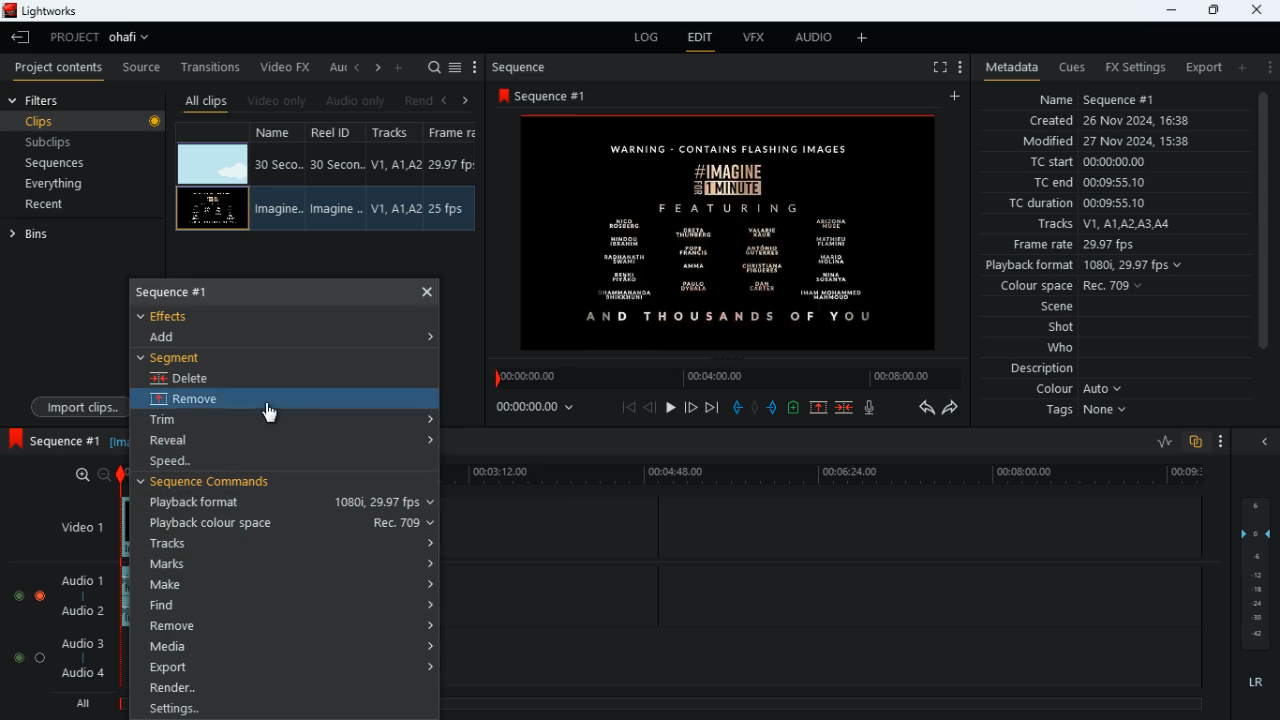 This screenshot has height=720, width=1280. Describe the element at coordinates (290, 628) in the screenshot. I see `remove` at that location.